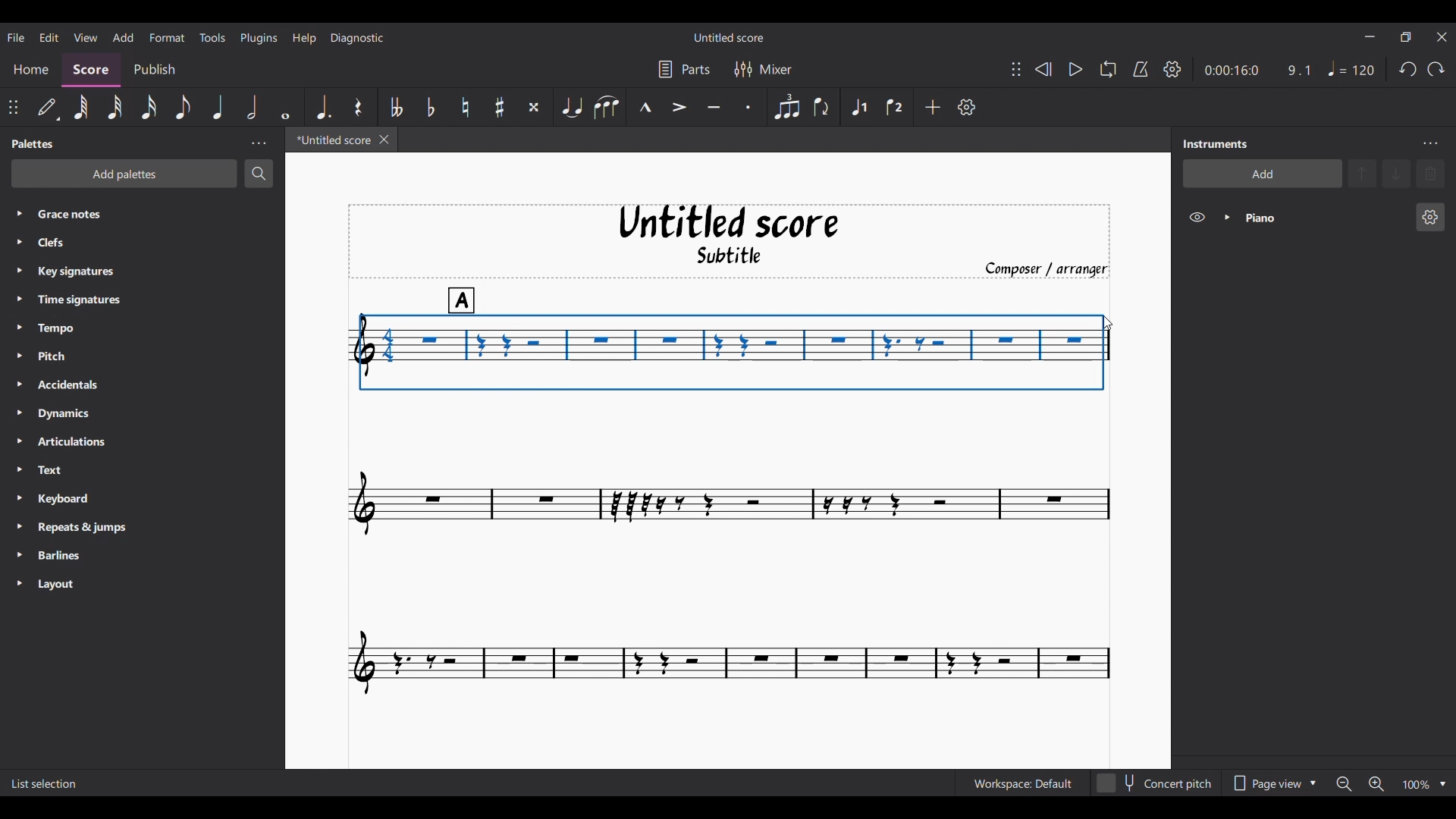  I want to click on Zoom in, so click(1376, 784).